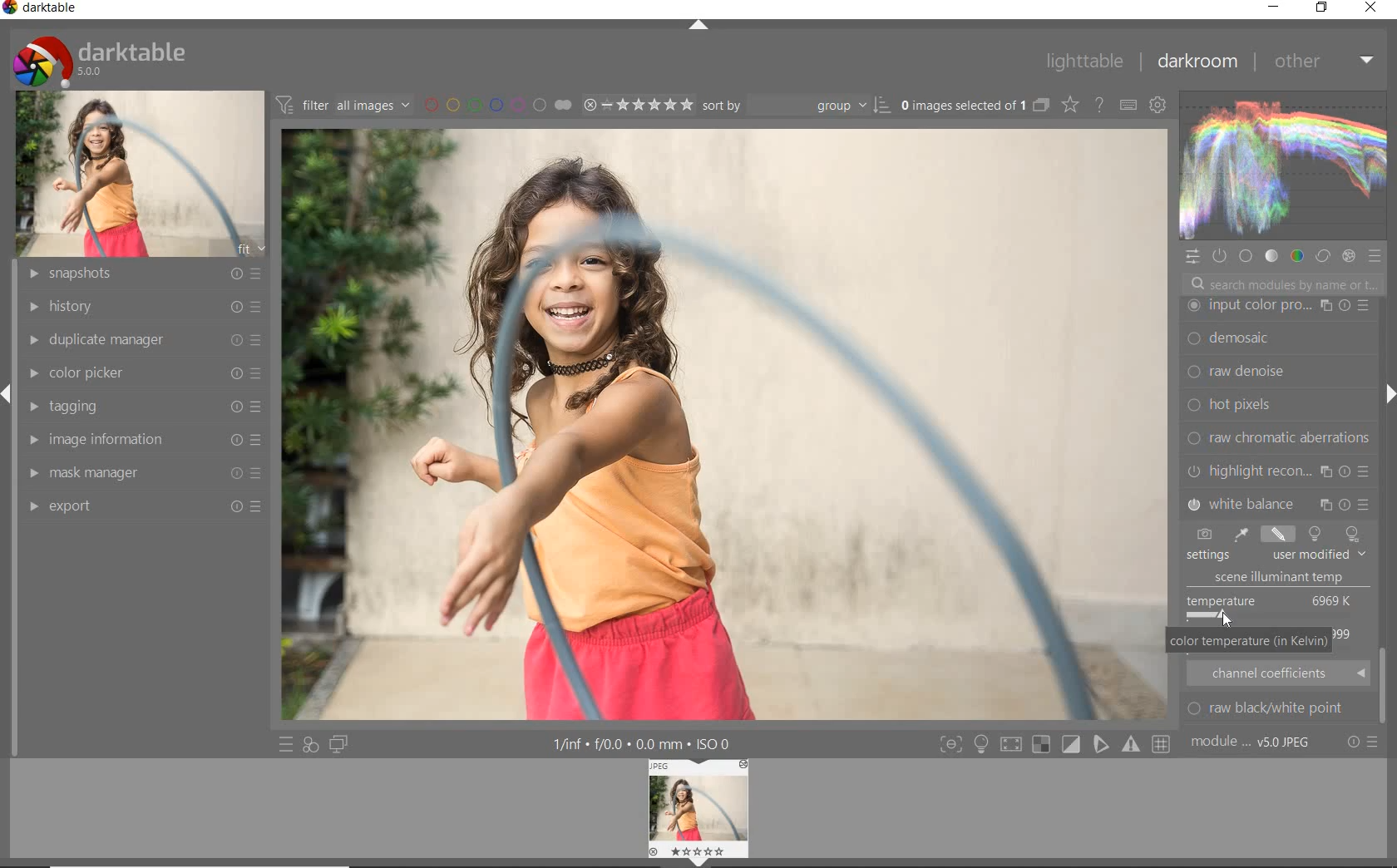  Describe the element at coordinates (1229, 624) in the screenshot. I see `CURSOR POSITION` at that location.